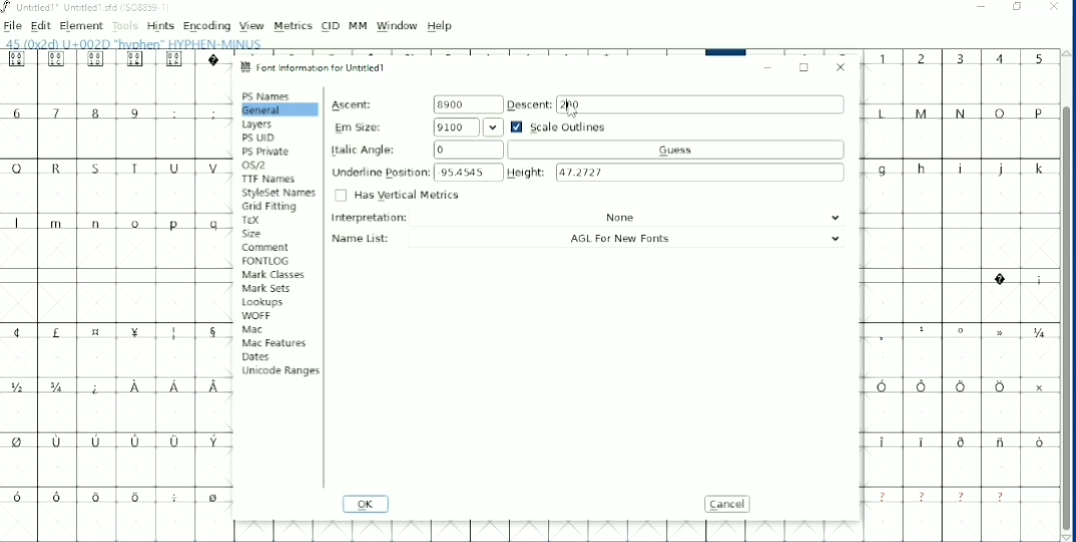  I want to click on Grid Fitting, so click(271, 207).